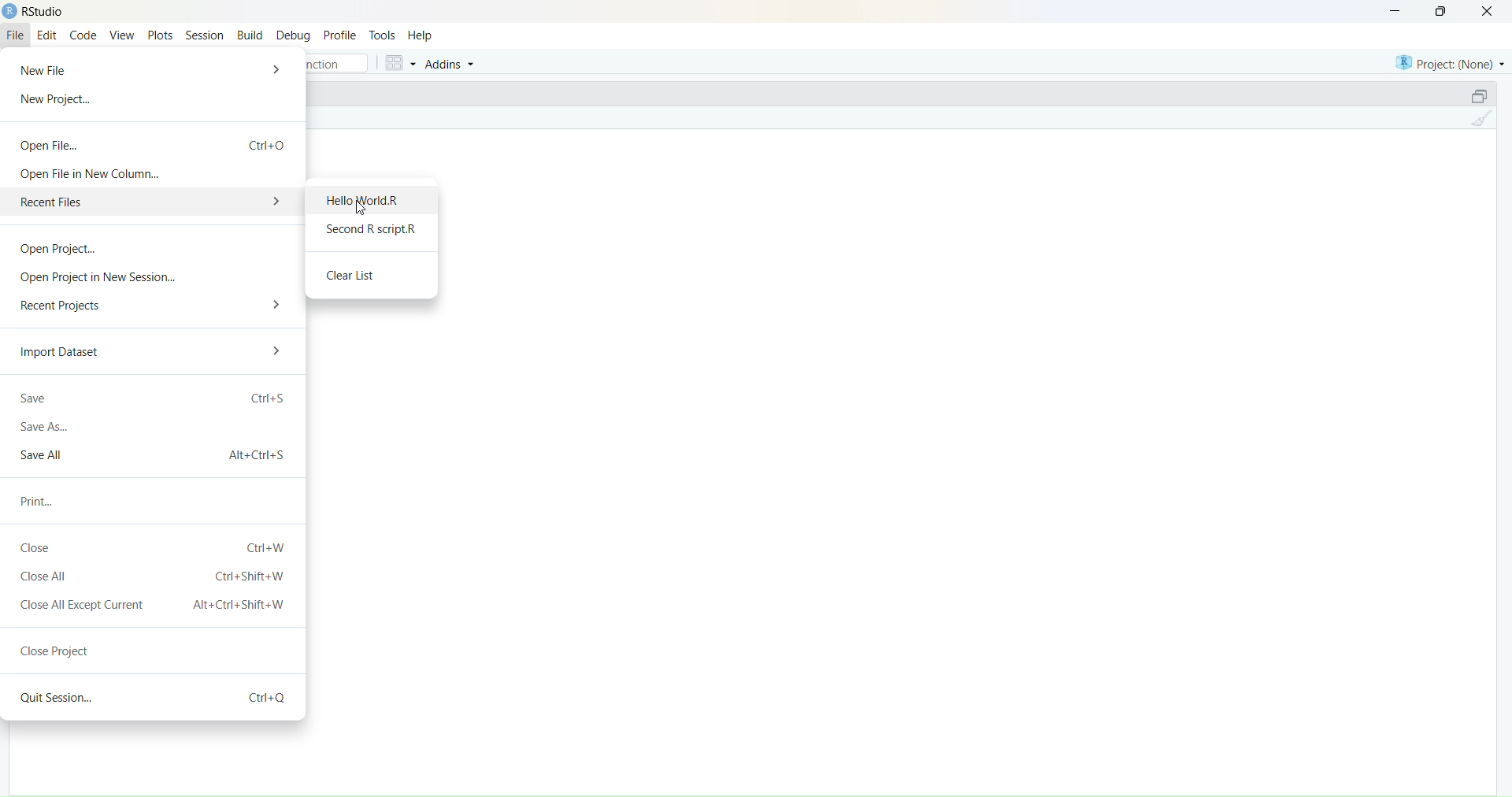 Image resolution: width=1512 pixels, height=797 pixels. I want to click on New Project..., so click(58, 100).